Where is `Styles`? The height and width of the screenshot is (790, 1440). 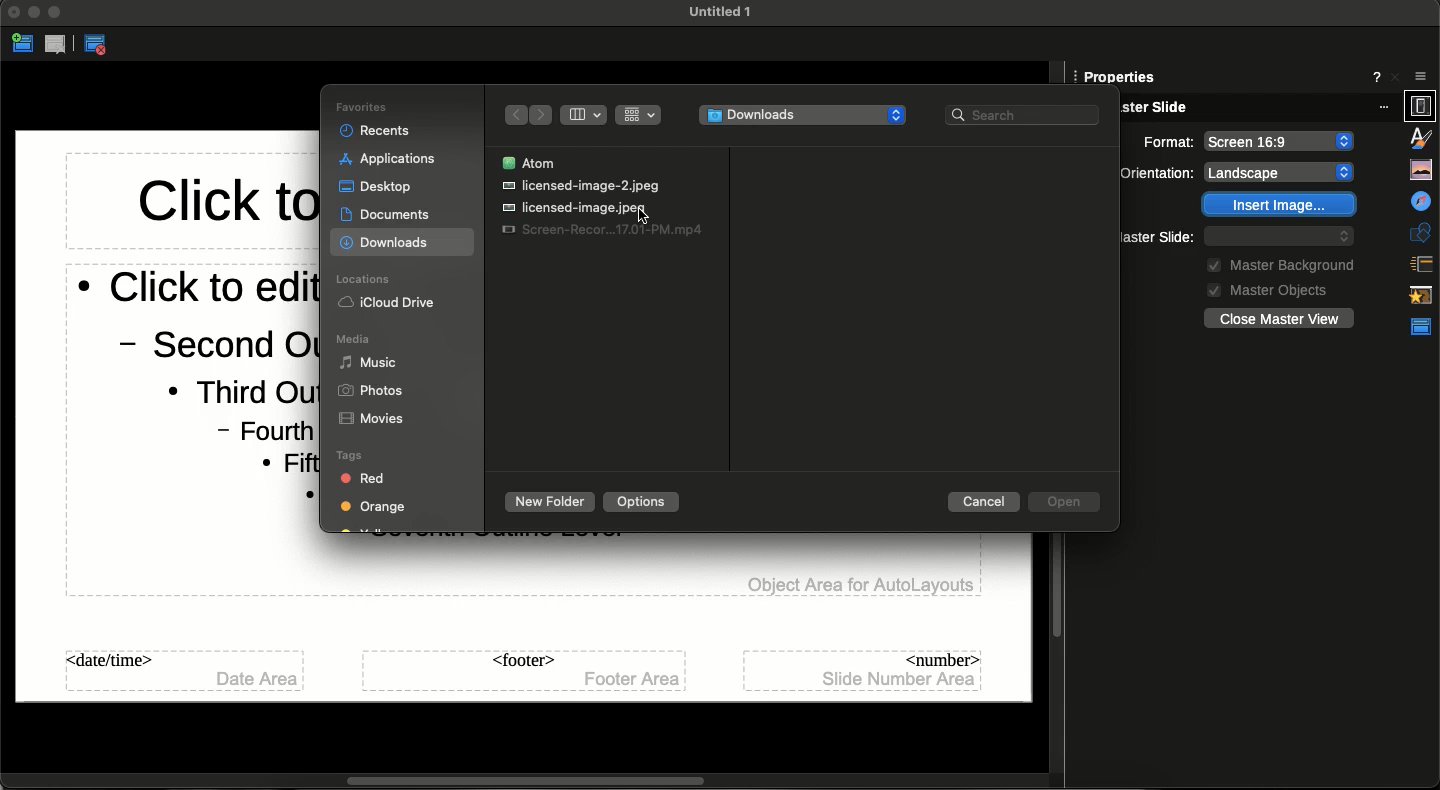 Styles is located at coordinates (1422, 106).